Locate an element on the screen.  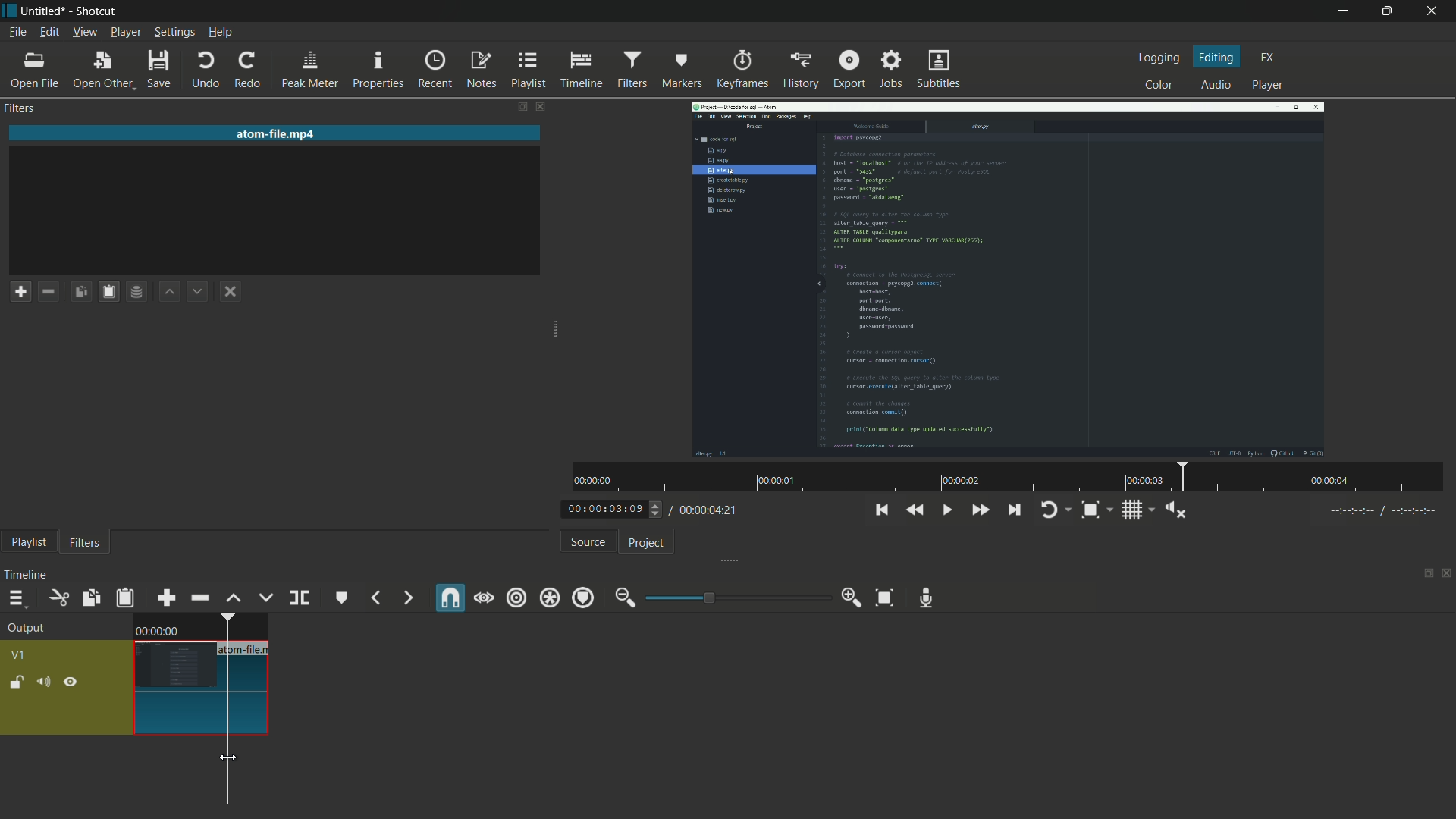
settings menu is located at coordinates (175, 33).